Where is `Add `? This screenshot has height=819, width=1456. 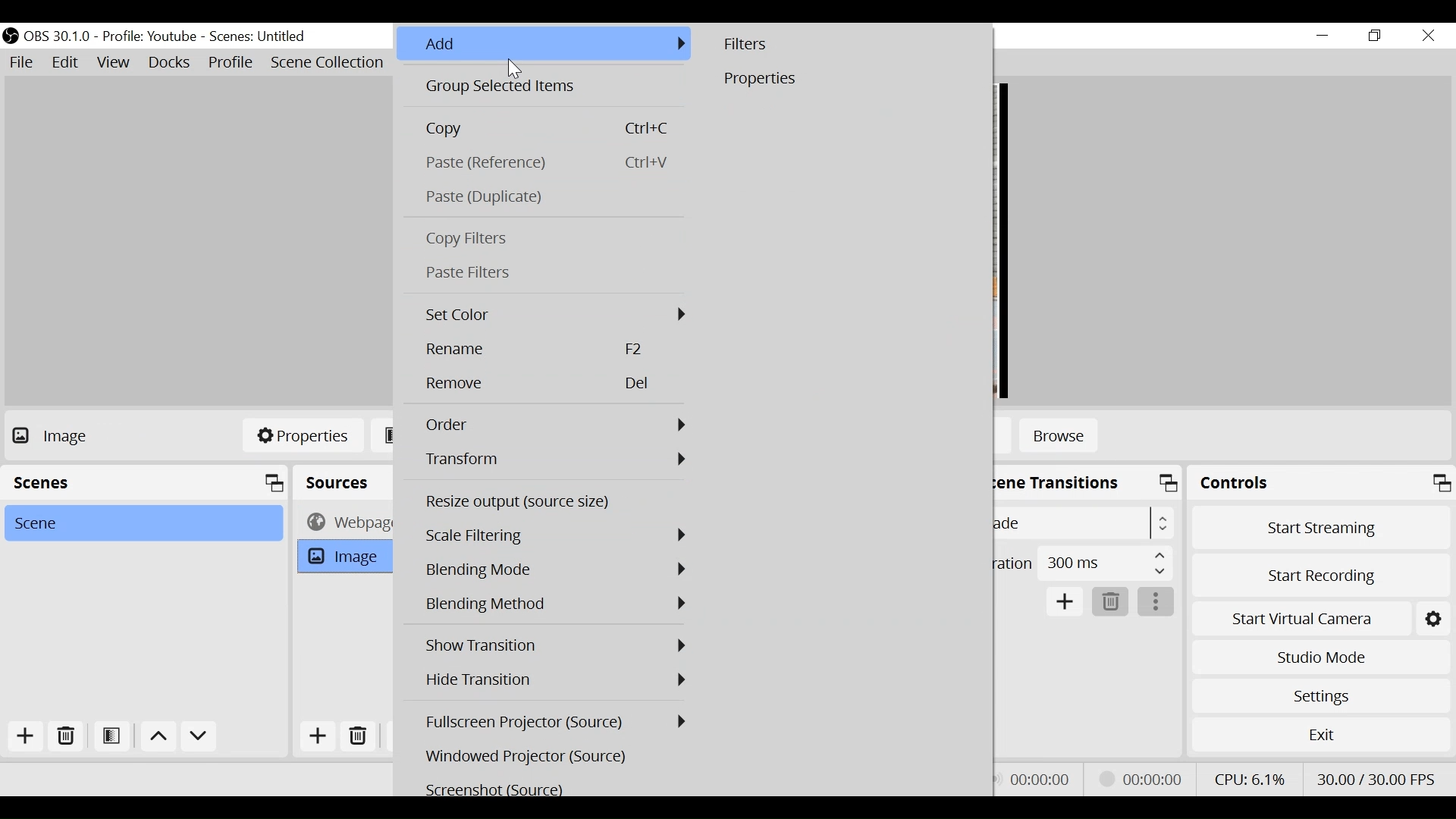
Add  is located at coordinates (1065, 602).